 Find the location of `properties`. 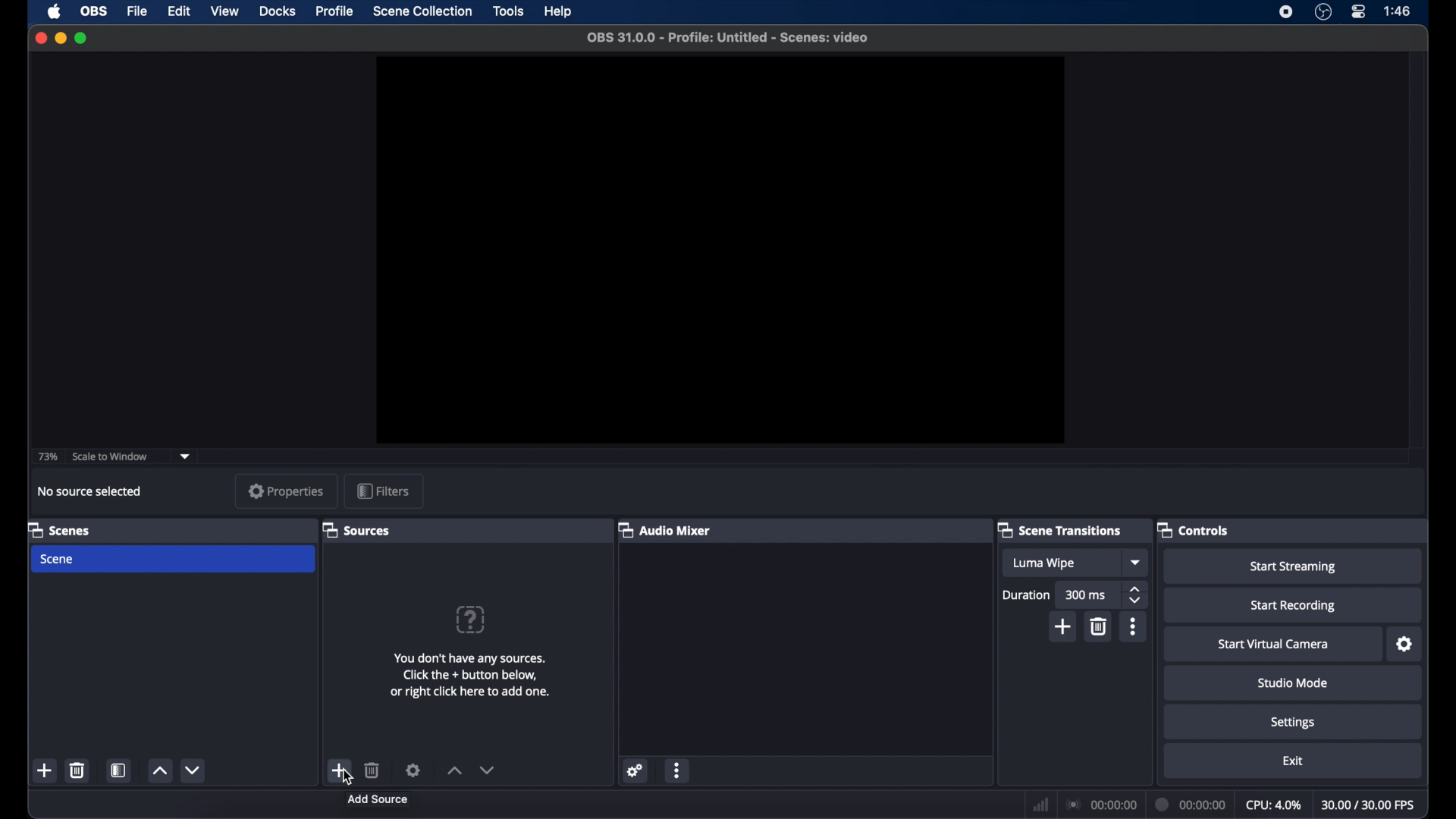

properties is located at coordinates (287, 490).